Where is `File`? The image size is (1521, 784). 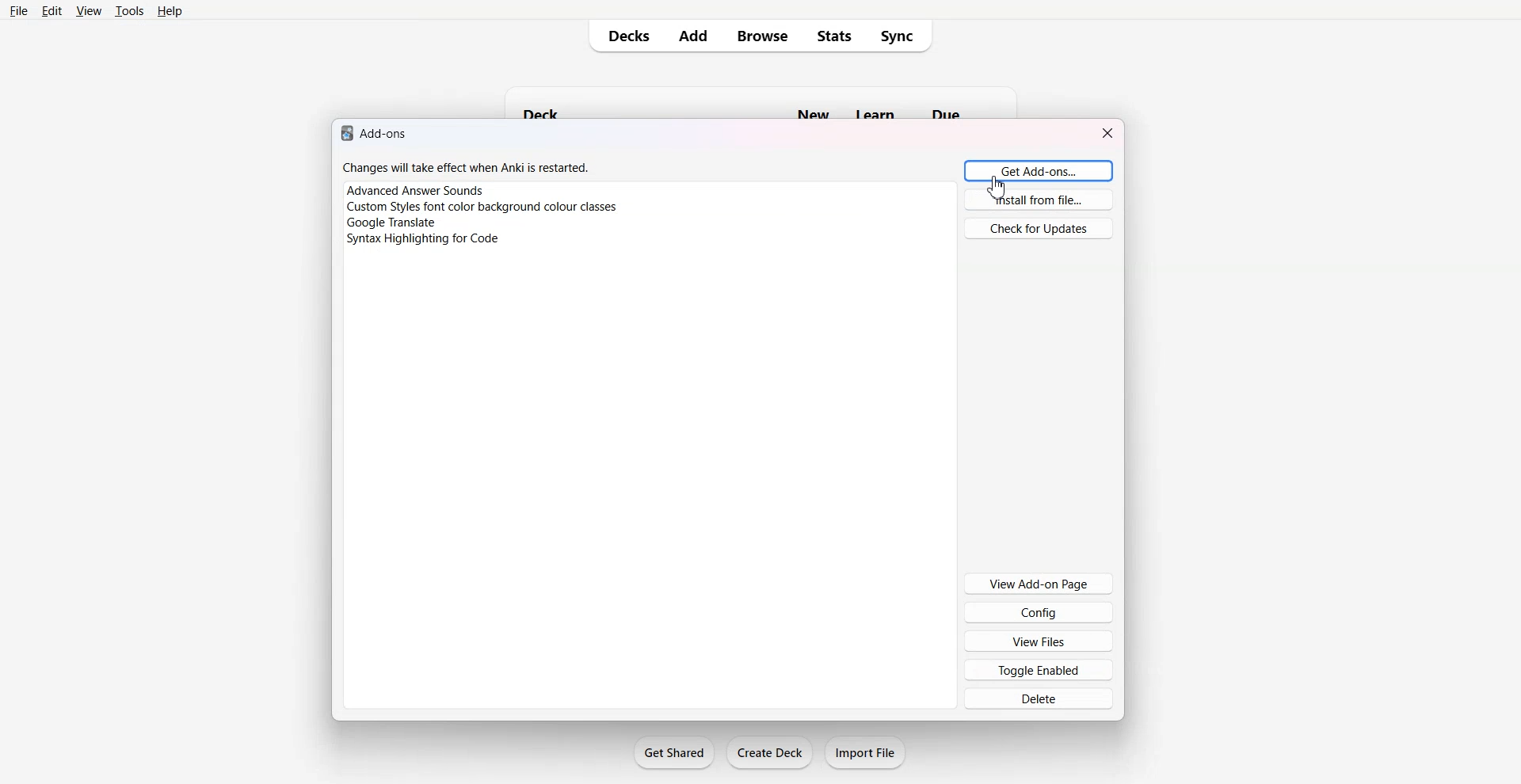
File is located at coordinates (19, 11).